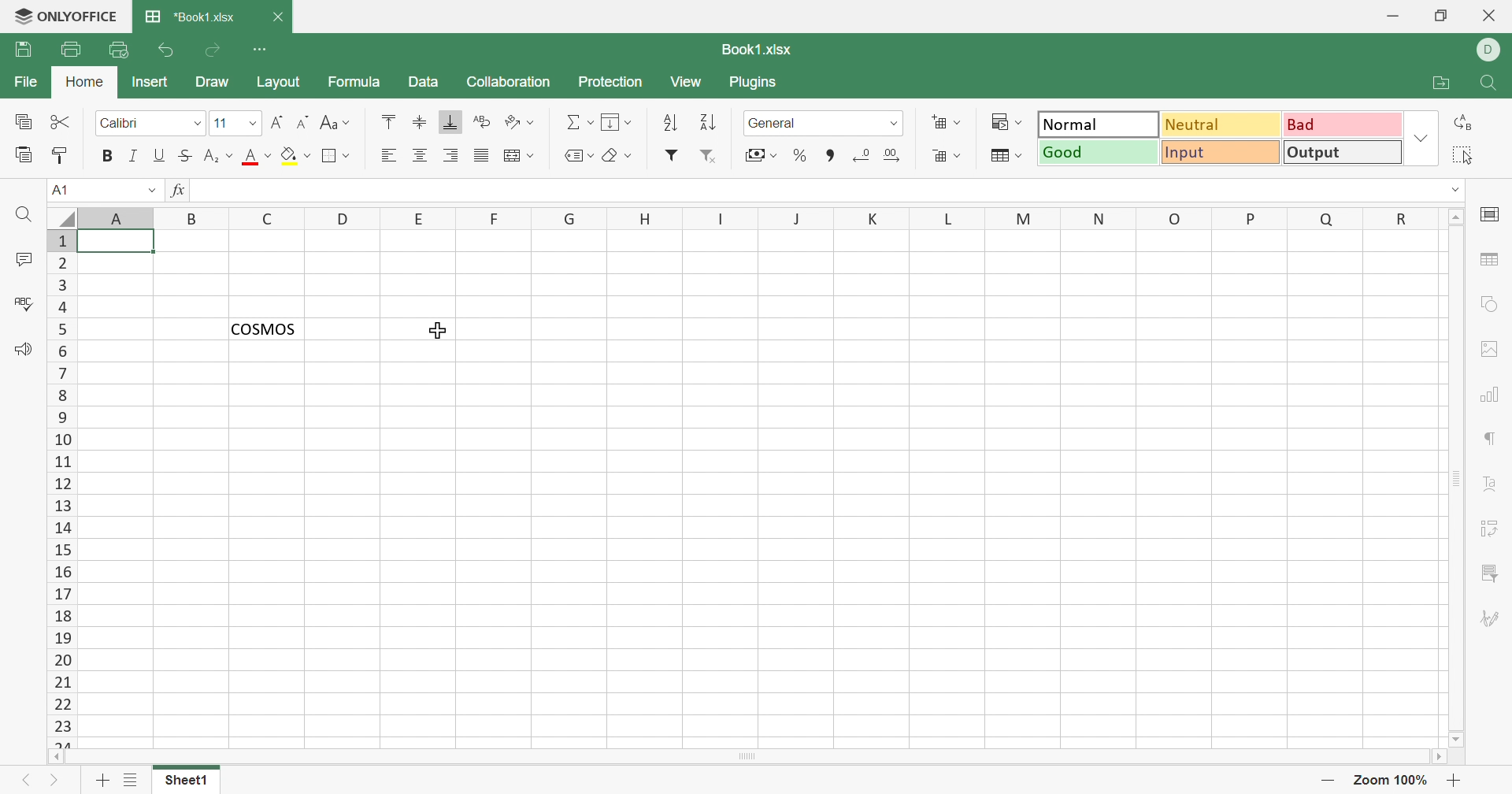 This screenshot has width=1512, height=794. I want to click on Find, so click(1489, 84).